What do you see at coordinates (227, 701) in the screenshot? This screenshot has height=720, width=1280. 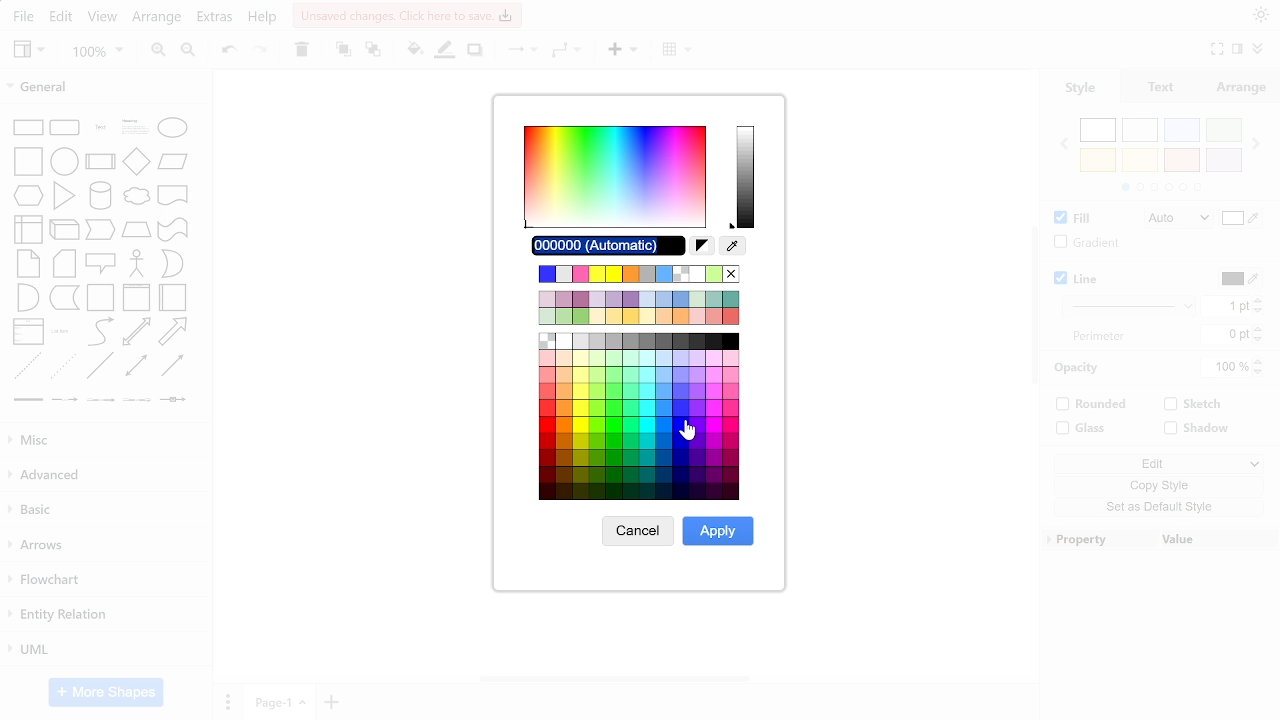 I see `pages` at bounding box center [227, 701].